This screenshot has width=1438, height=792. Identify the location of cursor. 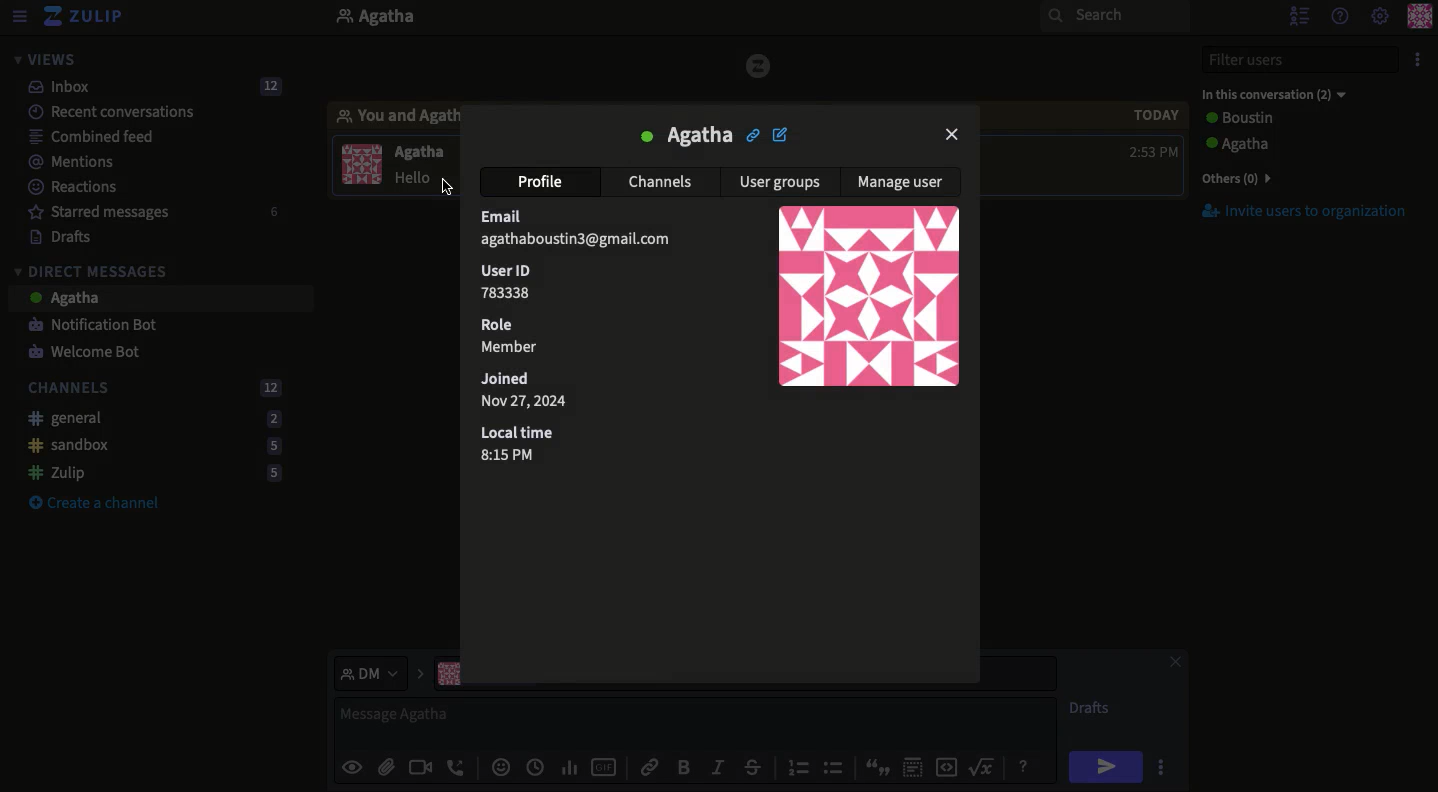
(446, 187).